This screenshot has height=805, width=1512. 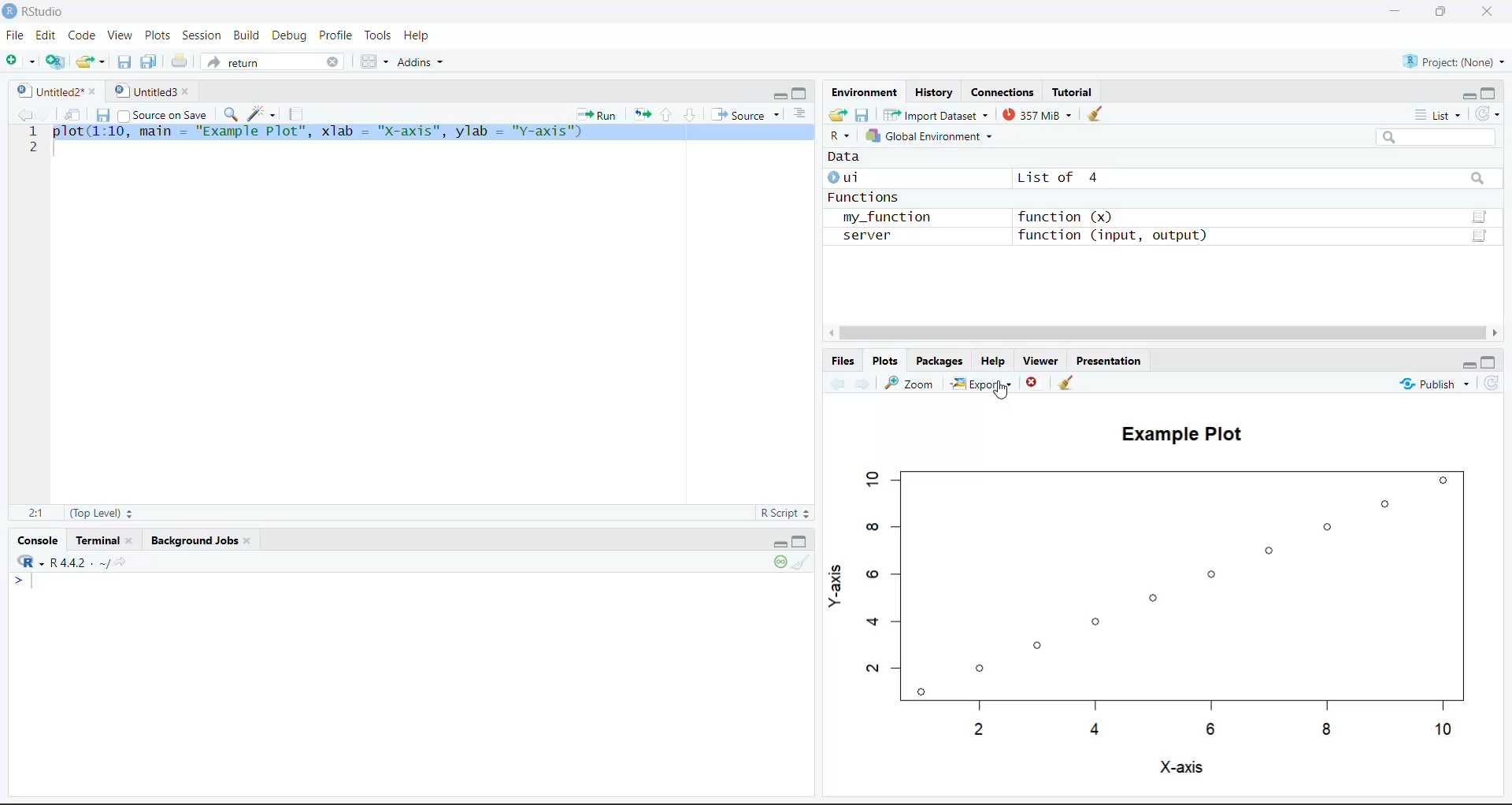 What do you see at coordinates (886, 361) in the screenshot?
I see `Plots` at bounding box center [886, 361].